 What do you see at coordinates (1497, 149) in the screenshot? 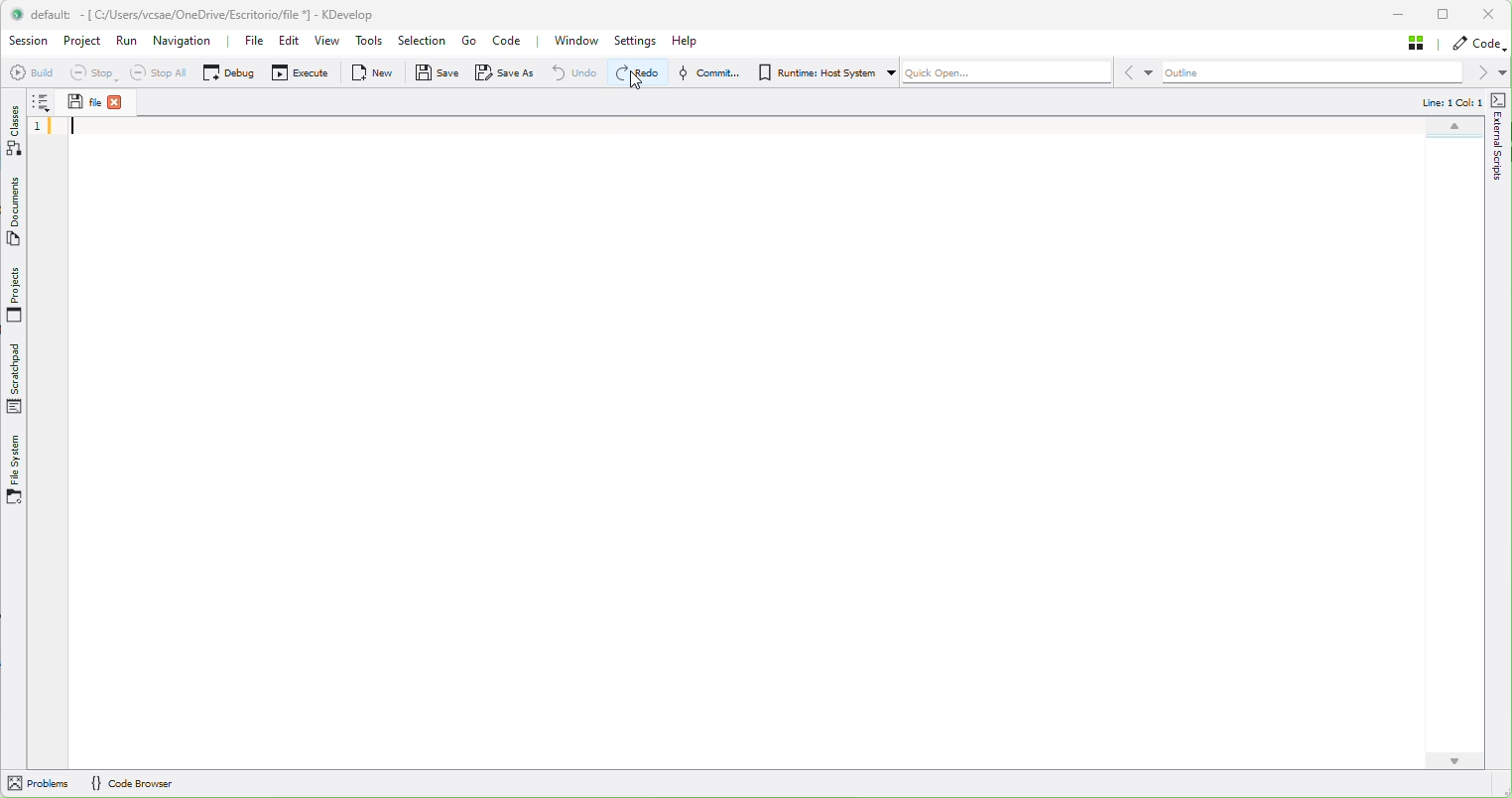
I see `external scripts` at bounding box center [1497, 149].